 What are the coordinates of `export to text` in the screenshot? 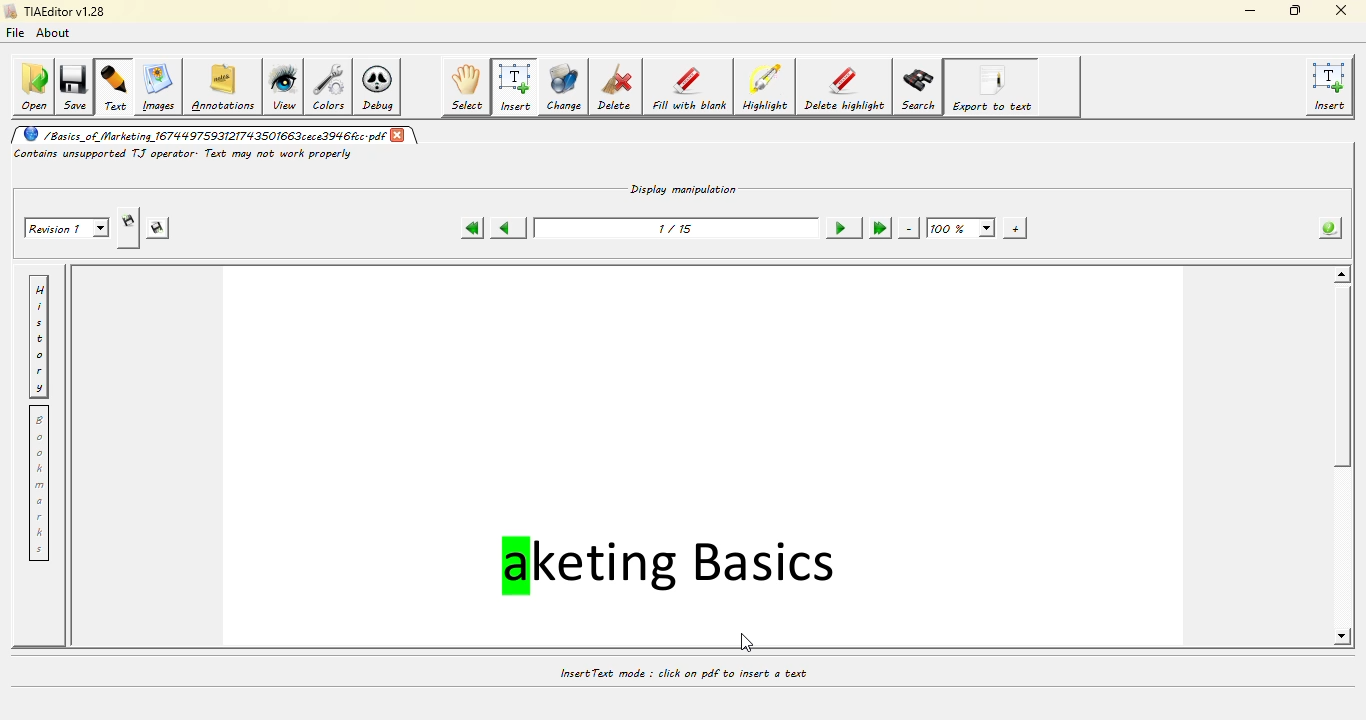 It's located at (994, 87).